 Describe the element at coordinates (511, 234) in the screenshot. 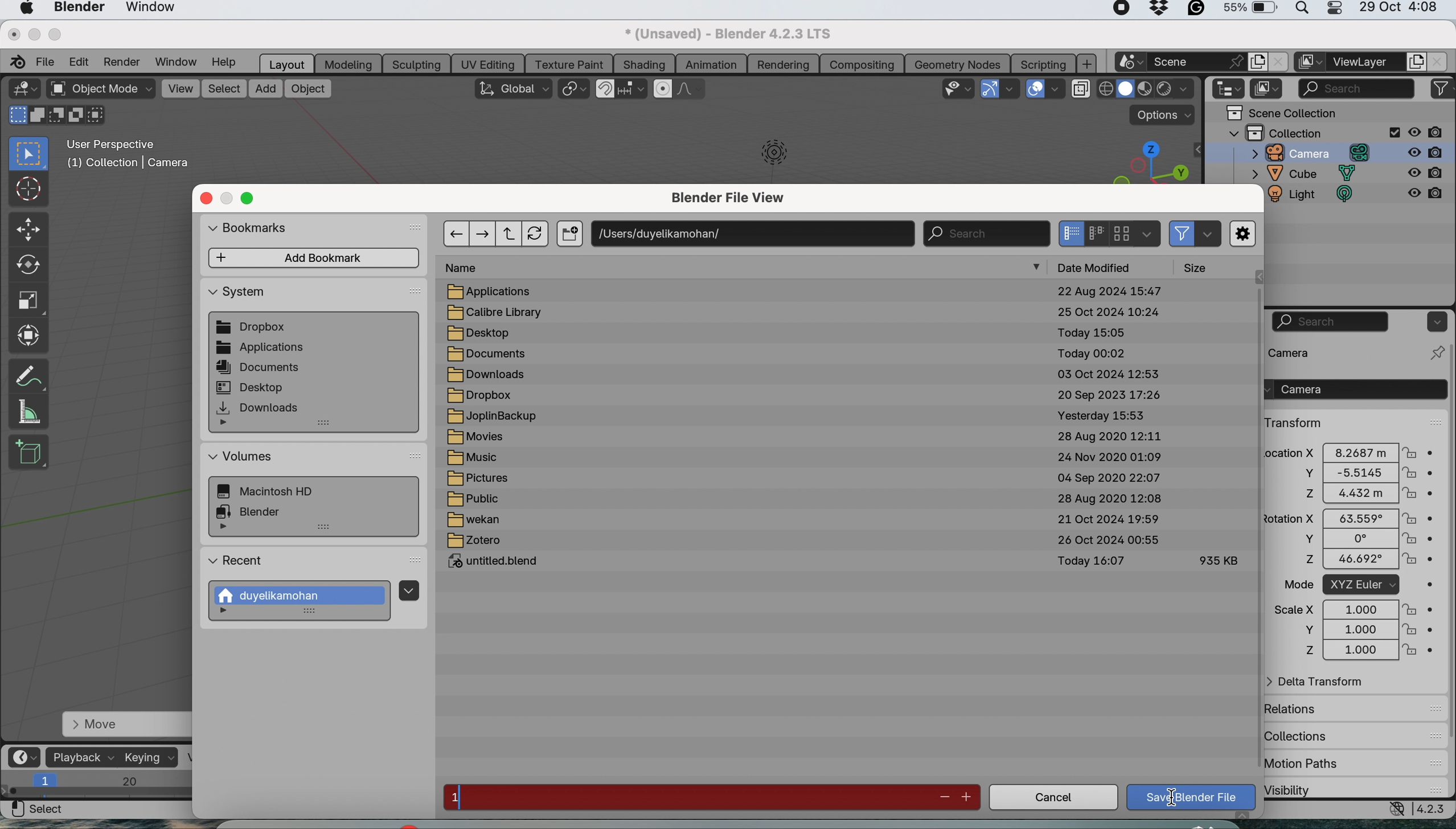

I see `parent directory` at that location.